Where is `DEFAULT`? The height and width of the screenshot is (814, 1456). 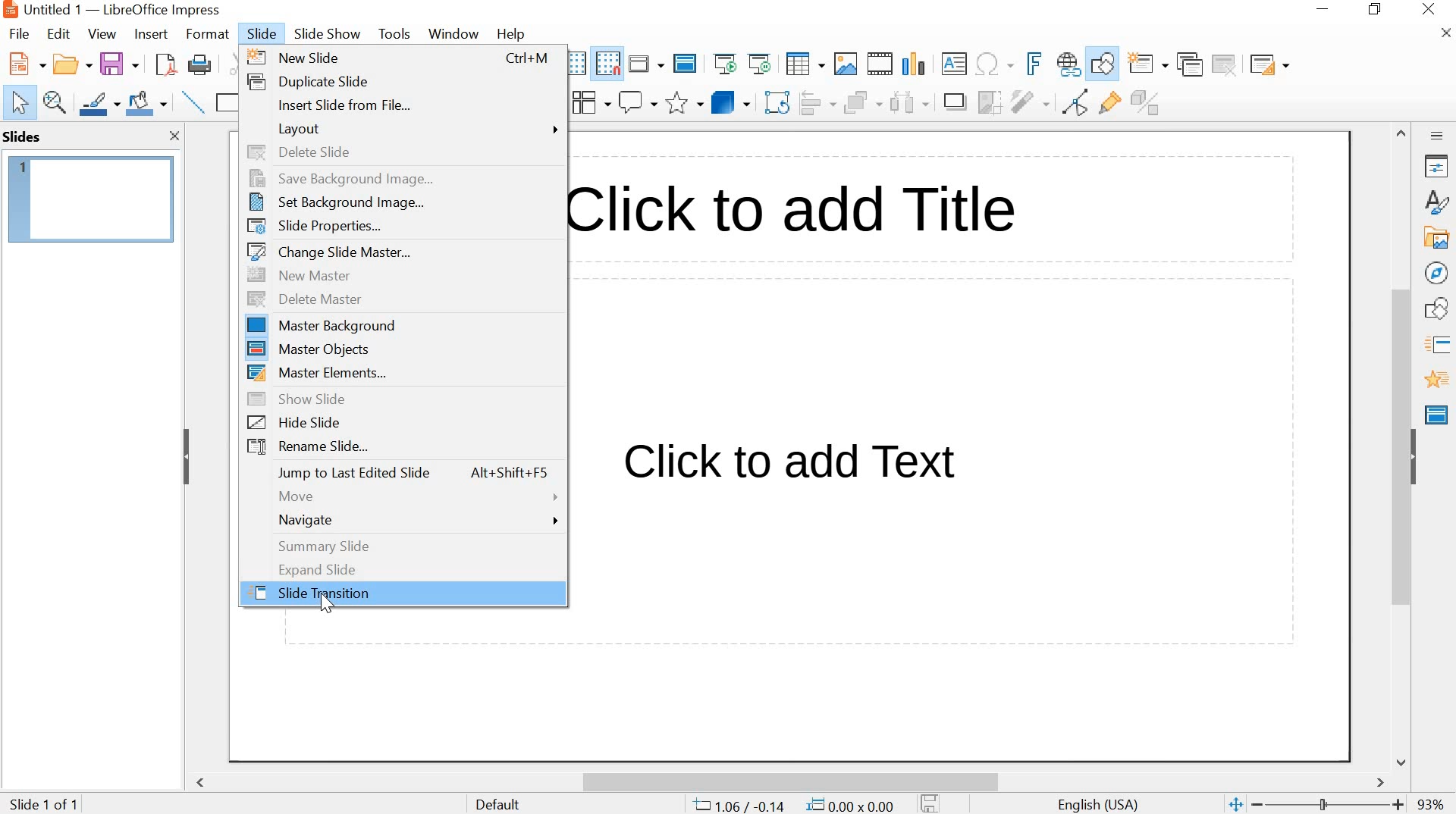 DEFAULT is located at coordinates (510, 803).